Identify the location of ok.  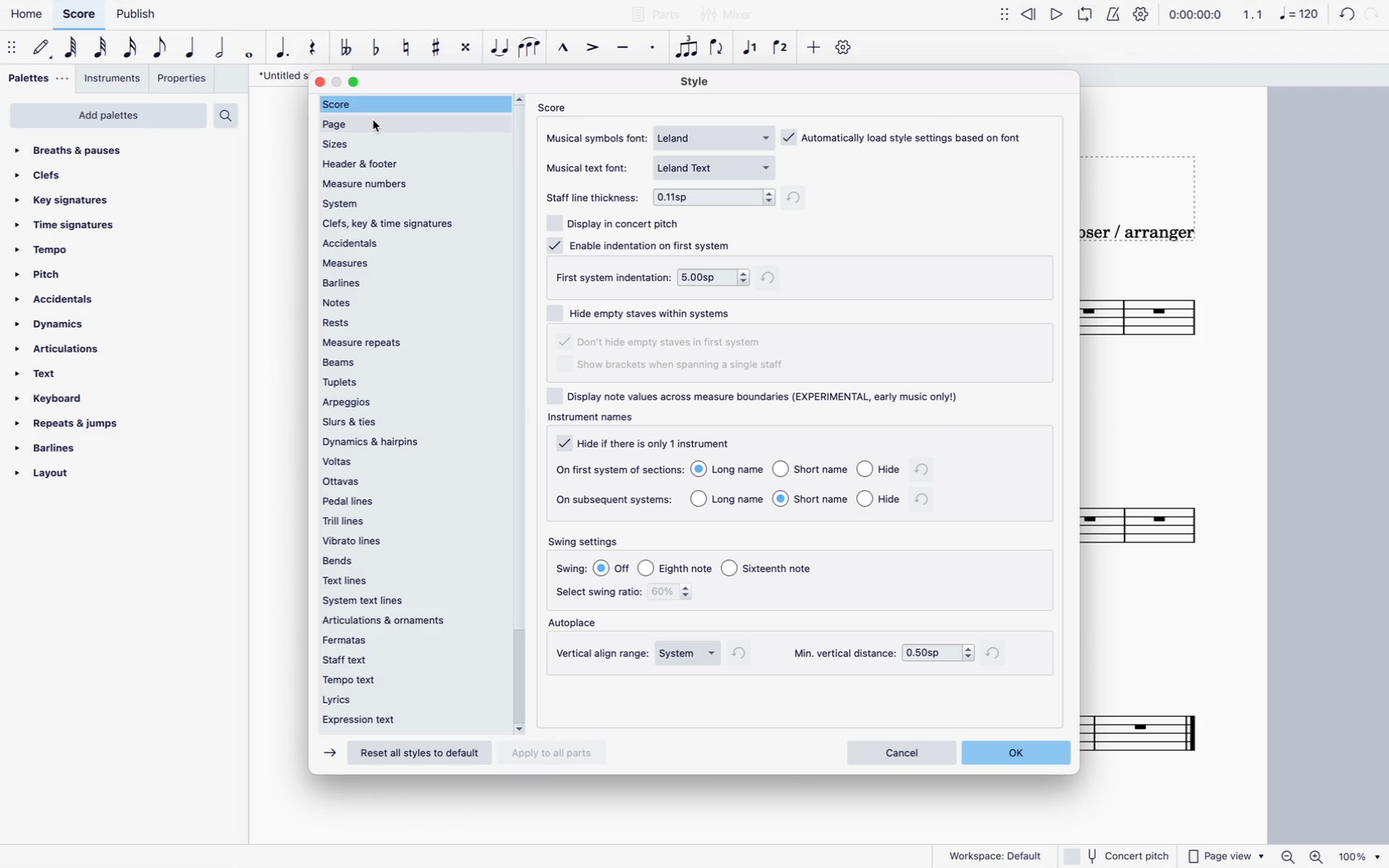
(1021, 752).